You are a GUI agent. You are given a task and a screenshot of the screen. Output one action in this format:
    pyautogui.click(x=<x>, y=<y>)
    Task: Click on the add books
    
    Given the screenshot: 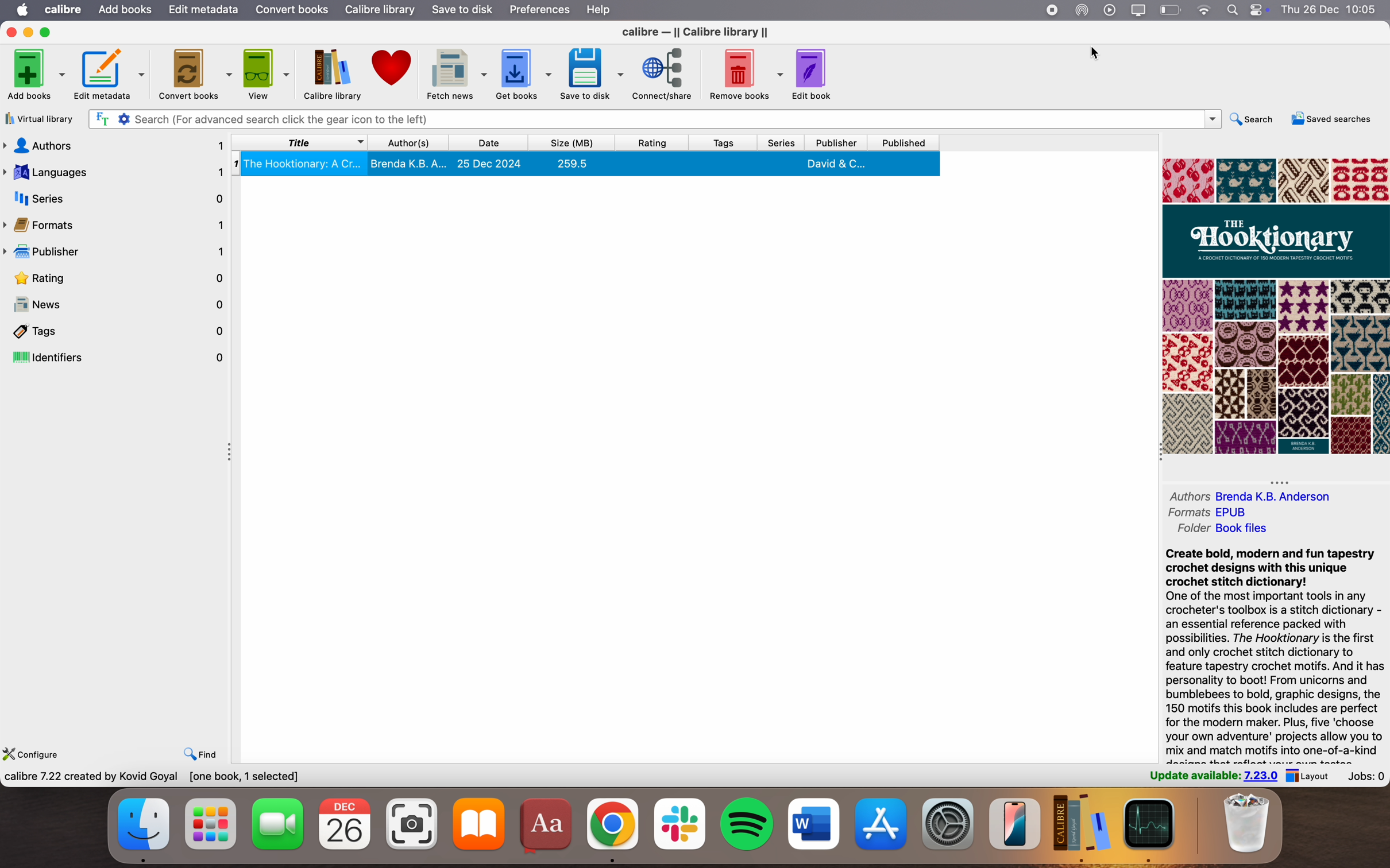 What is the action you would take?
    pyautogui.click(x=34, y=73)
    